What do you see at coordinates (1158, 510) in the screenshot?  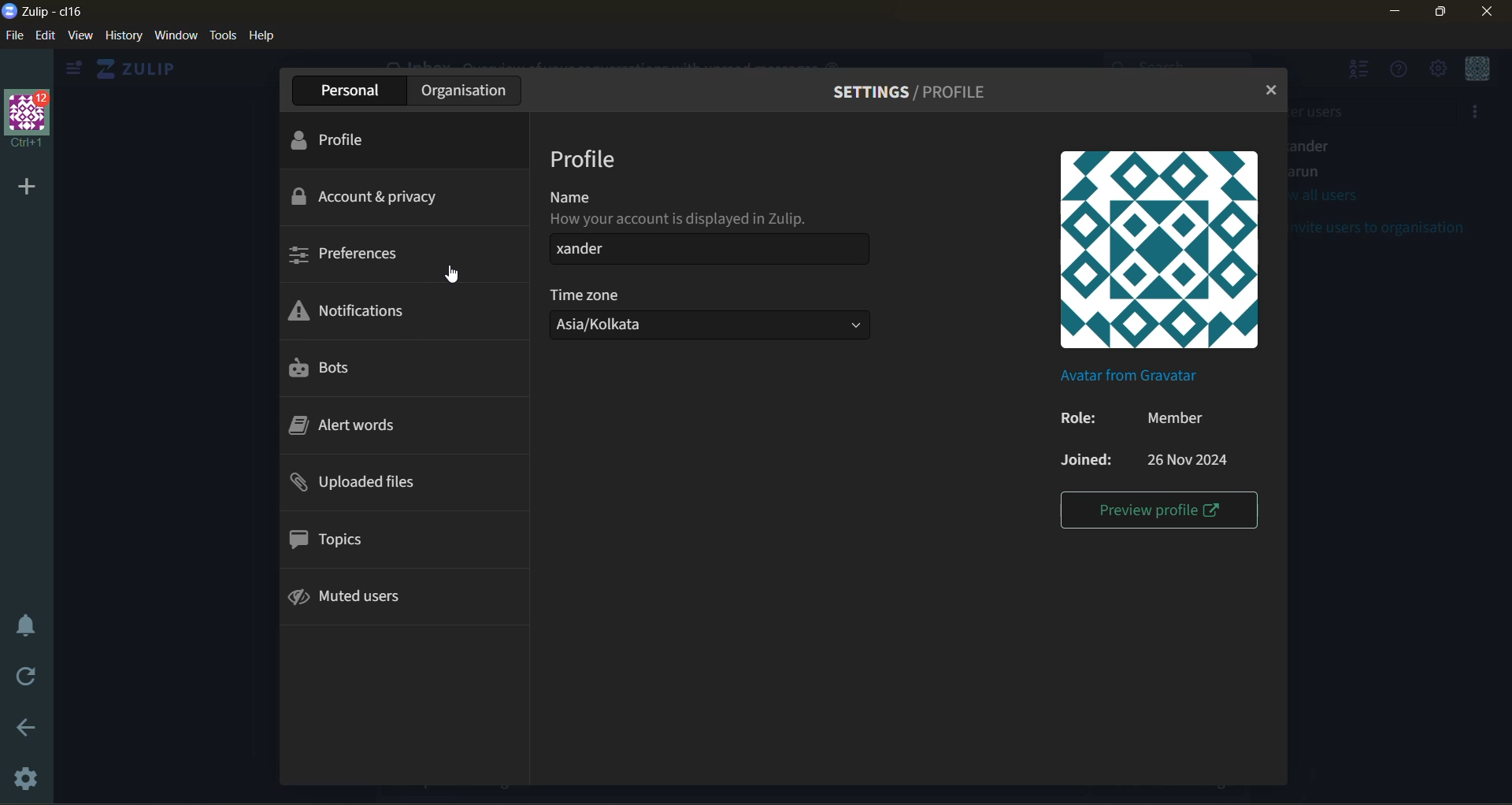 I see `preview profile` at bounding box center [1158, 510].